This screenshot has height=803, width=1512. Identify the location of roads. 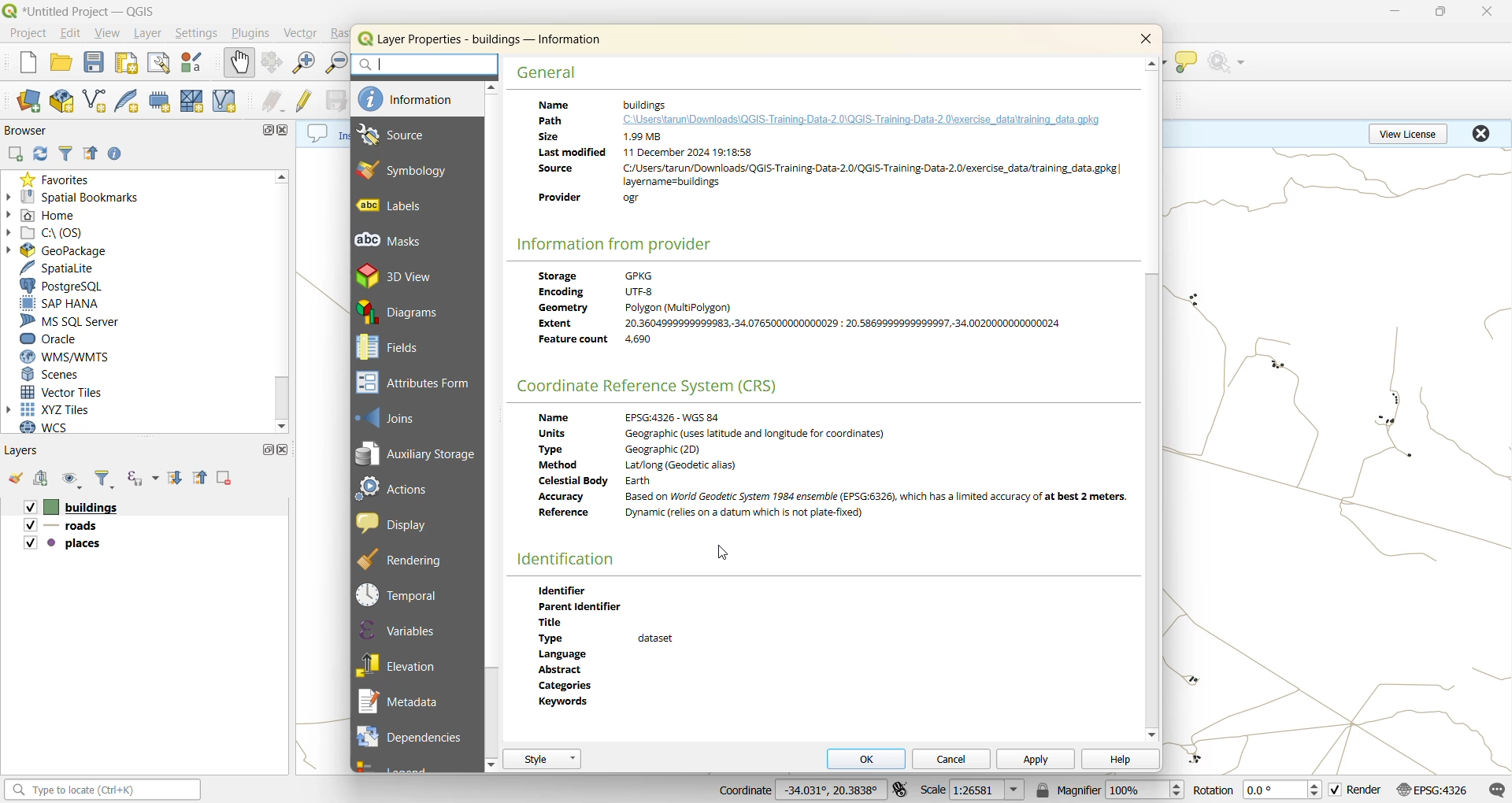
(65, 526).